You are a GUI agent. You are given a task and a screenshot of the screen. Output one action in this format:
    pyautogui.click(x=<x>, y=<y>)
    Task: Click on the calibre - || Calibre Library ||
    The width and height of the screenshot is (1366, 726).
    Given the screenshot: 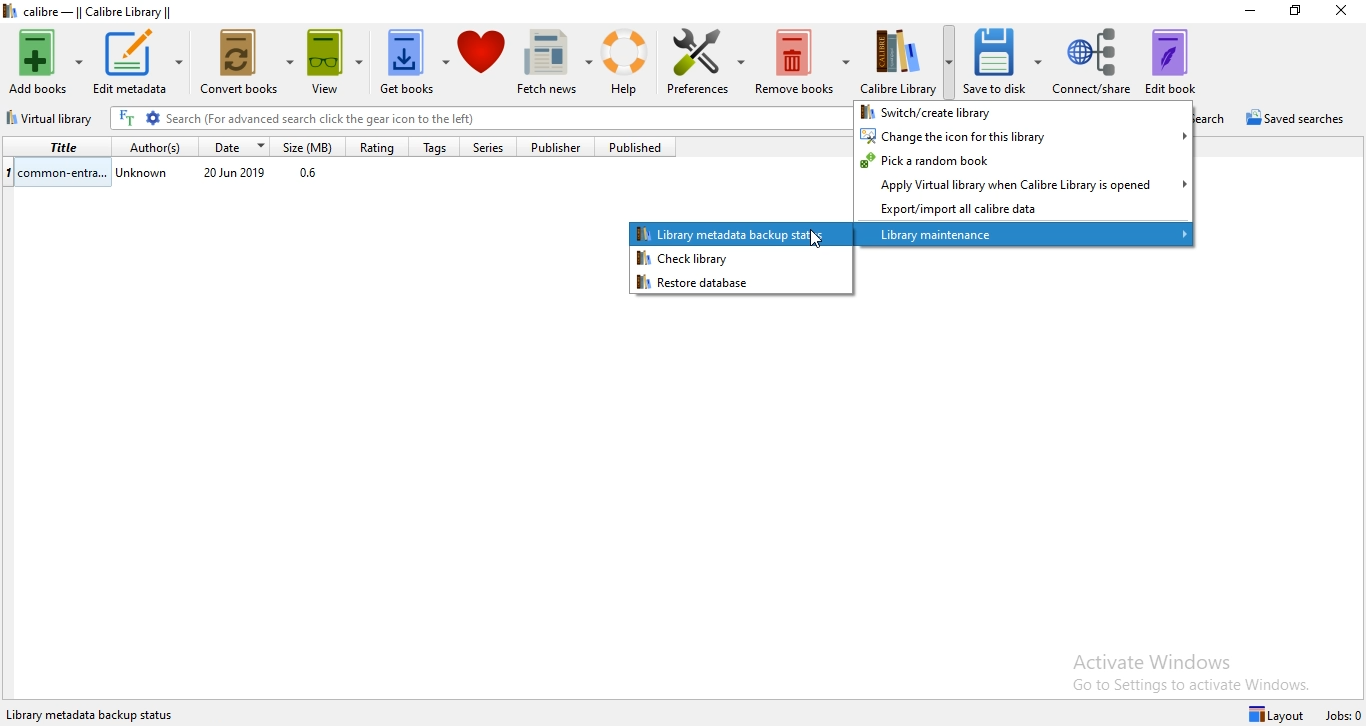 What is the action you would take?
    pyautogui.click(x=112, y=11)
    